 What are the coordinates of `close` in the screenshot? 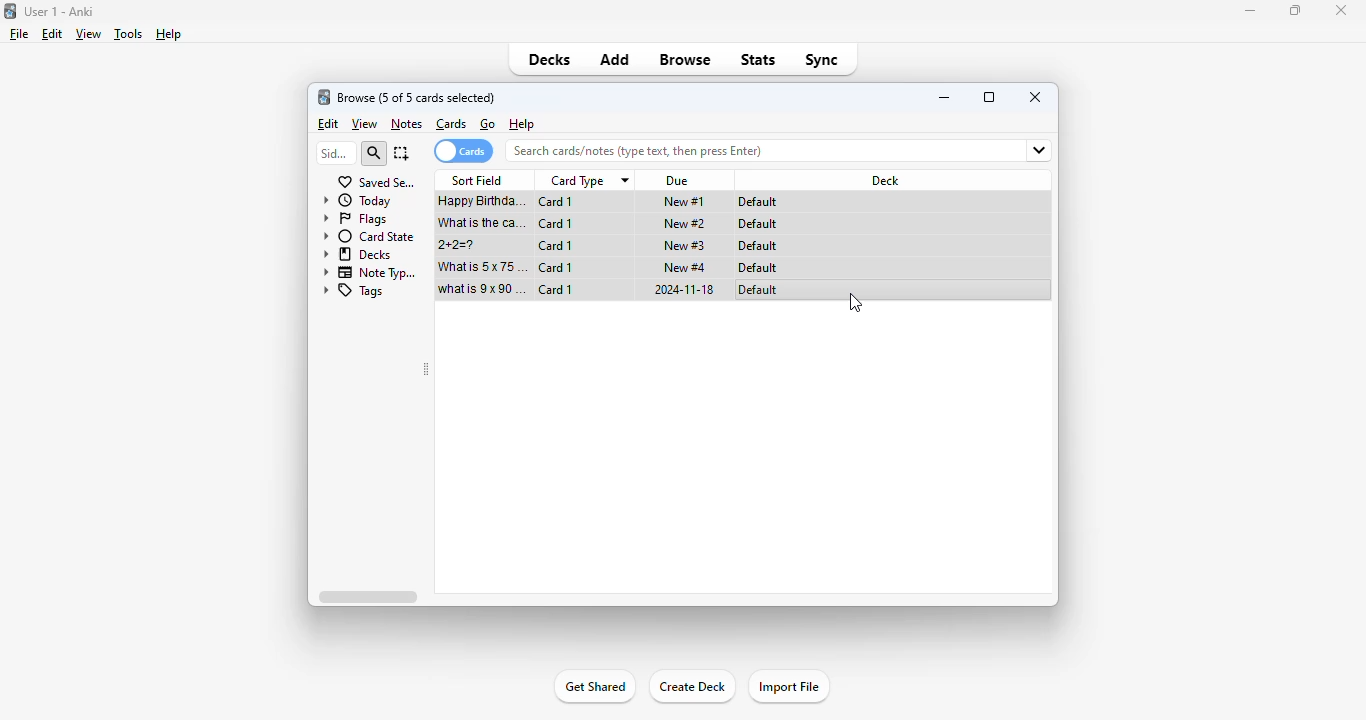 It's located at (1341, 11).